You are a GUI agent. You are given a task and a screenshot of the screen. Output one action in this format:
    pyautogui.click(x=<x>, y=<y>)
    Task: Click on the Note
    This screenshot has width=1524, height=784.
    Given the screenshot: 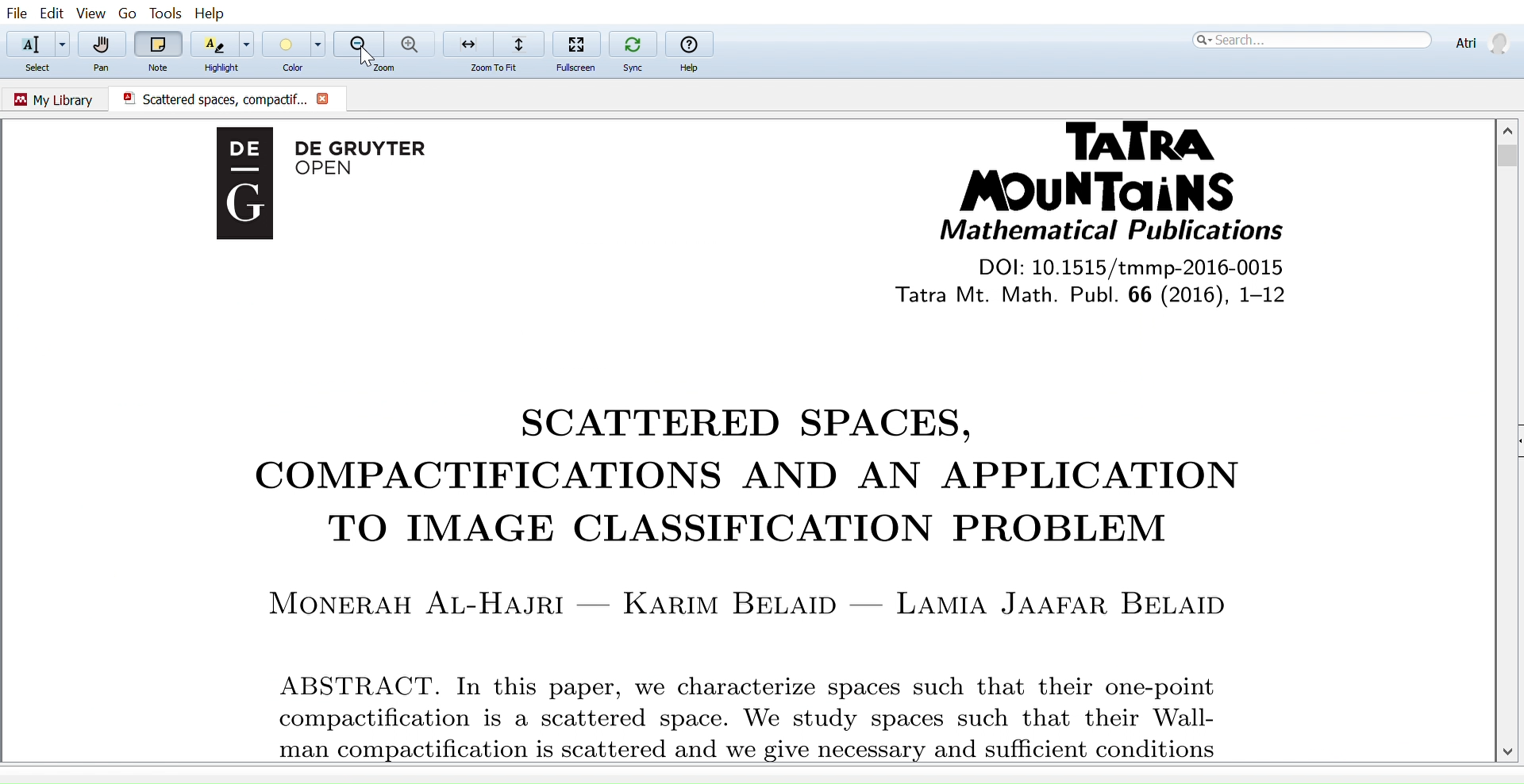 What is the action you would take?
    pyautogui.click(x=159, y=44)
    